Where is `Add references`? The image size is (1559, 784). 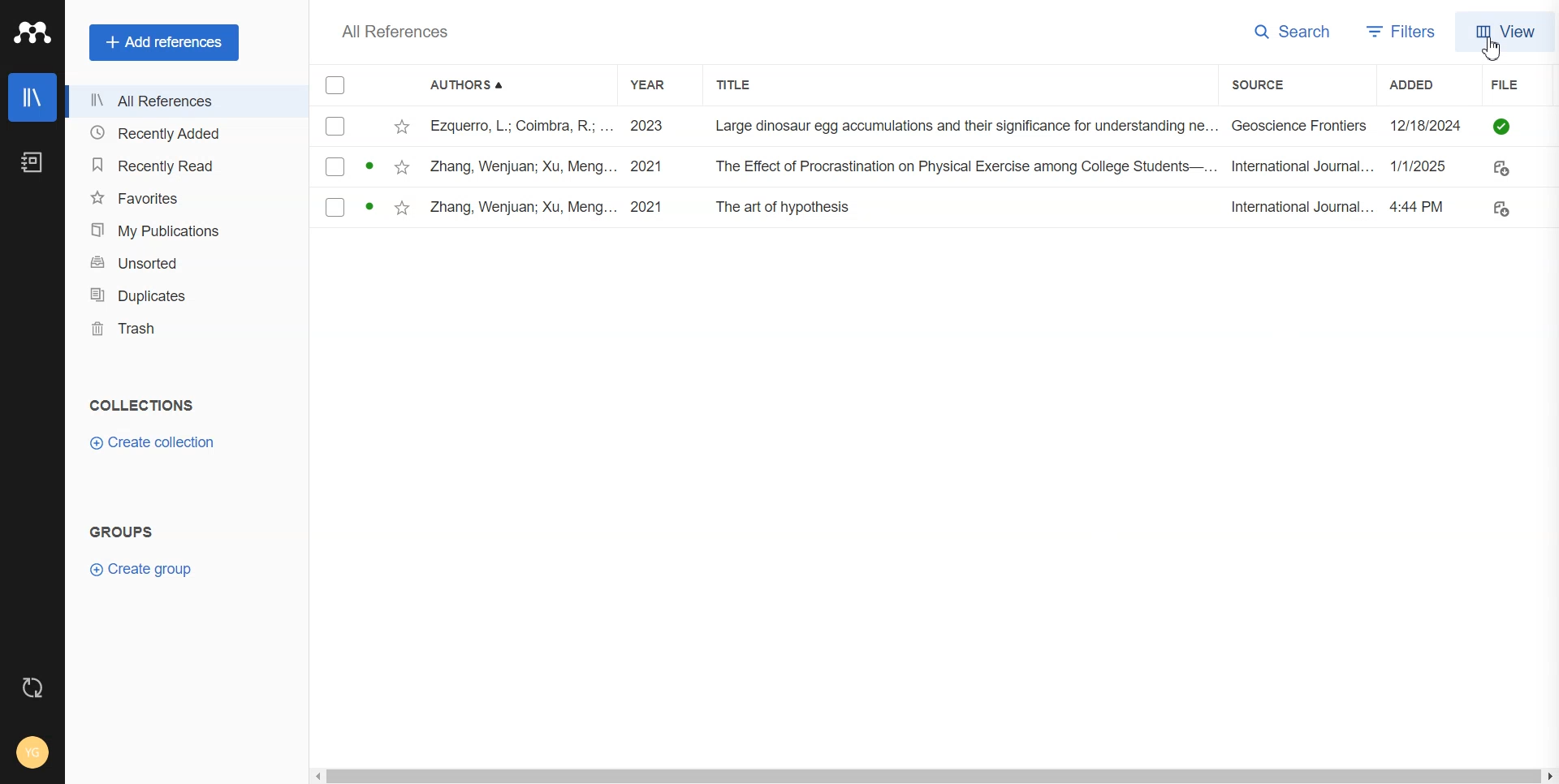
Add references is located at coordinates (165, 42).